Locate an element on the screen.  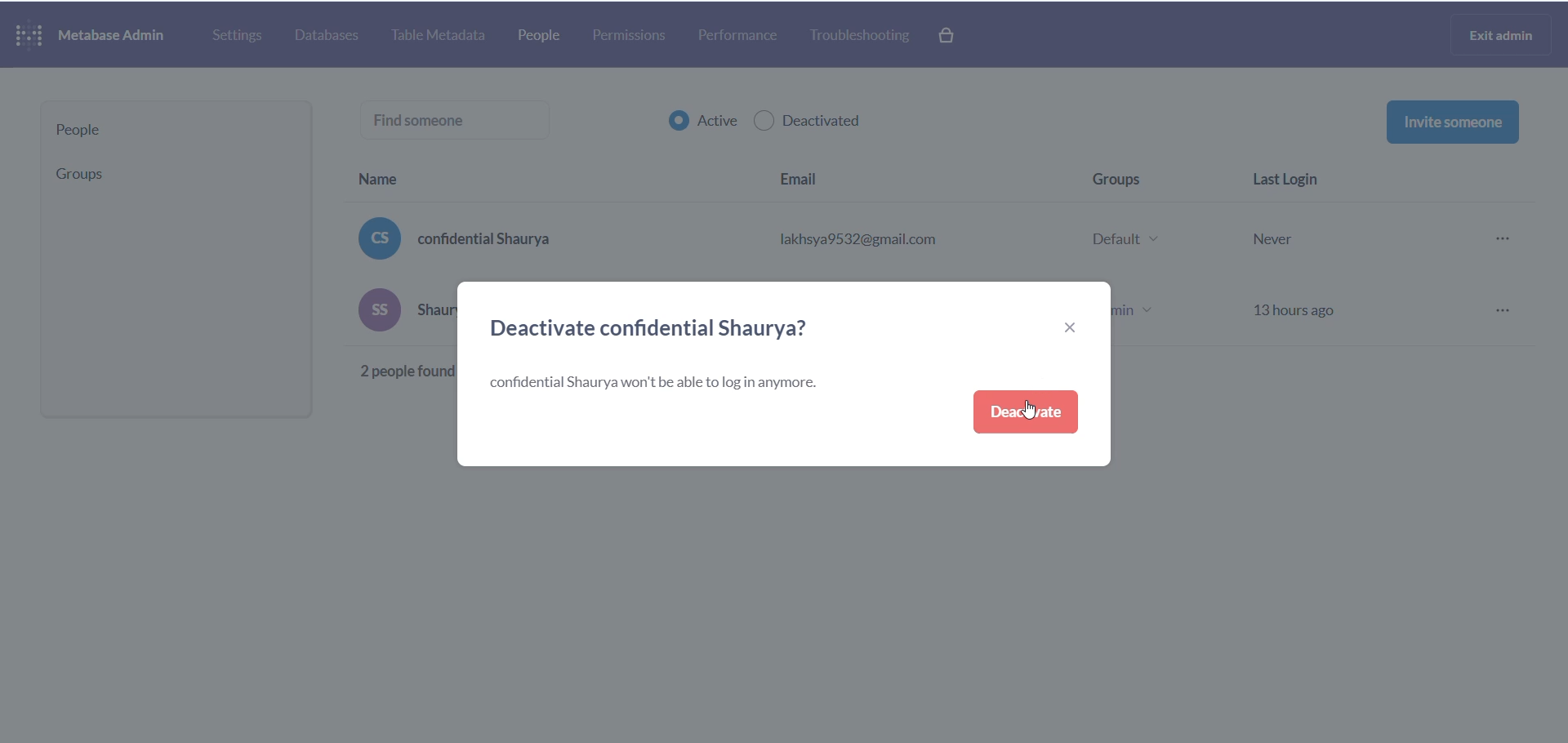
more is located at coordinates (1507, 310).